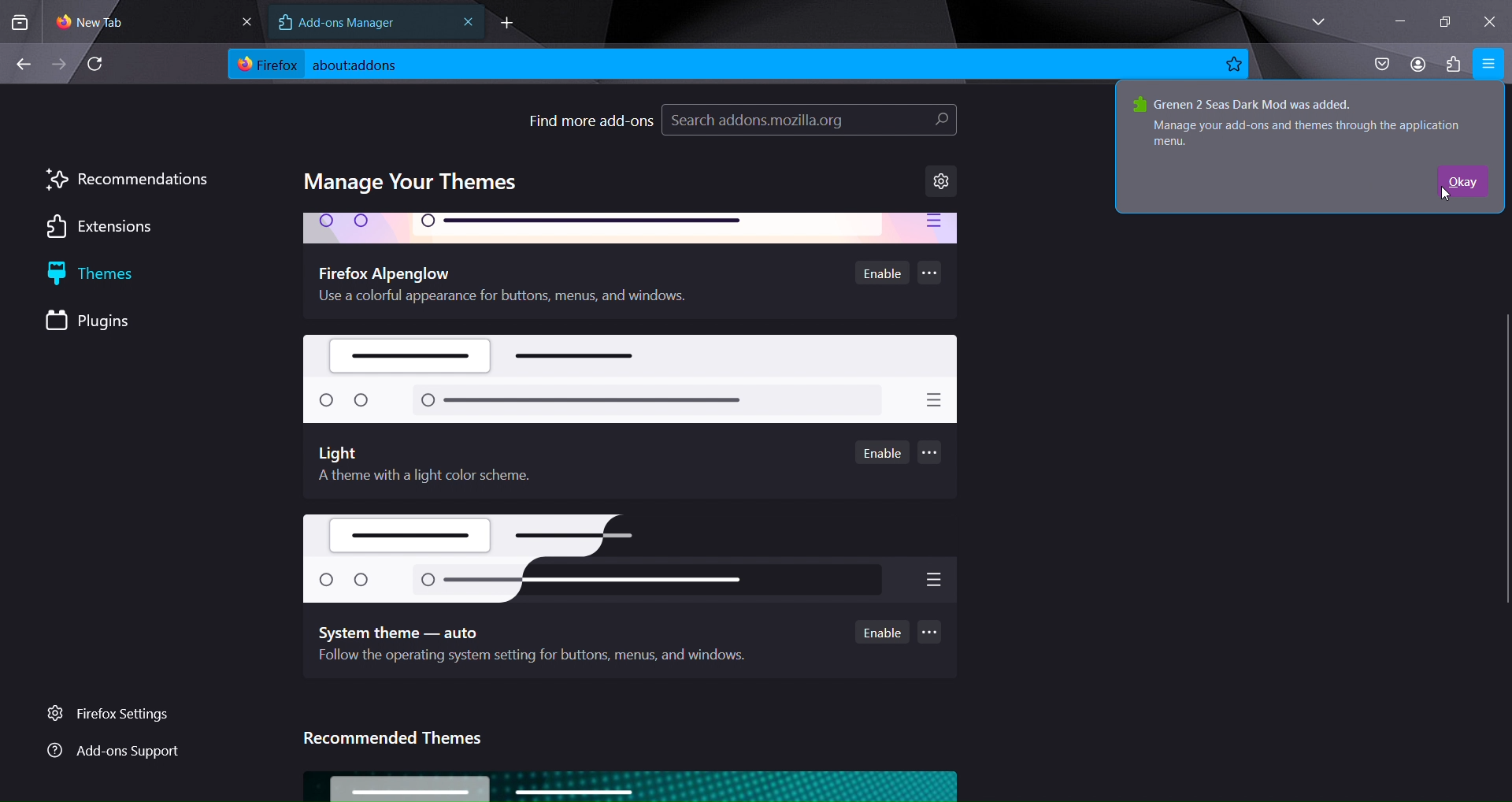 Image resolution: width=1512 pixels, height=802 pixels. Describe the element at coordinates (113, 752) in the screenshot. I see `add ons support` at that location.